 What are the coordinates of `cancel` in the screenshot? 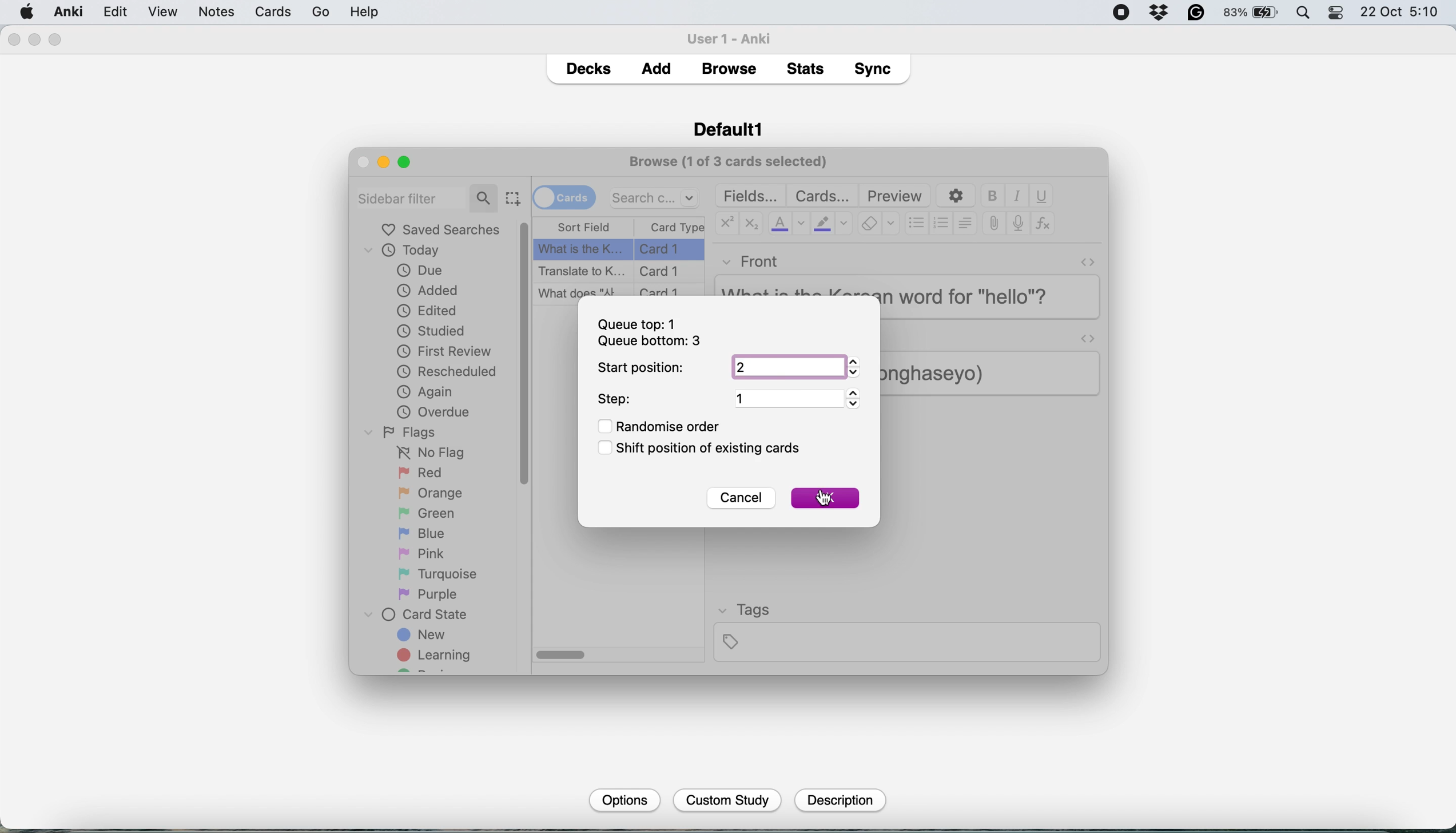 It's located at (739, 499).